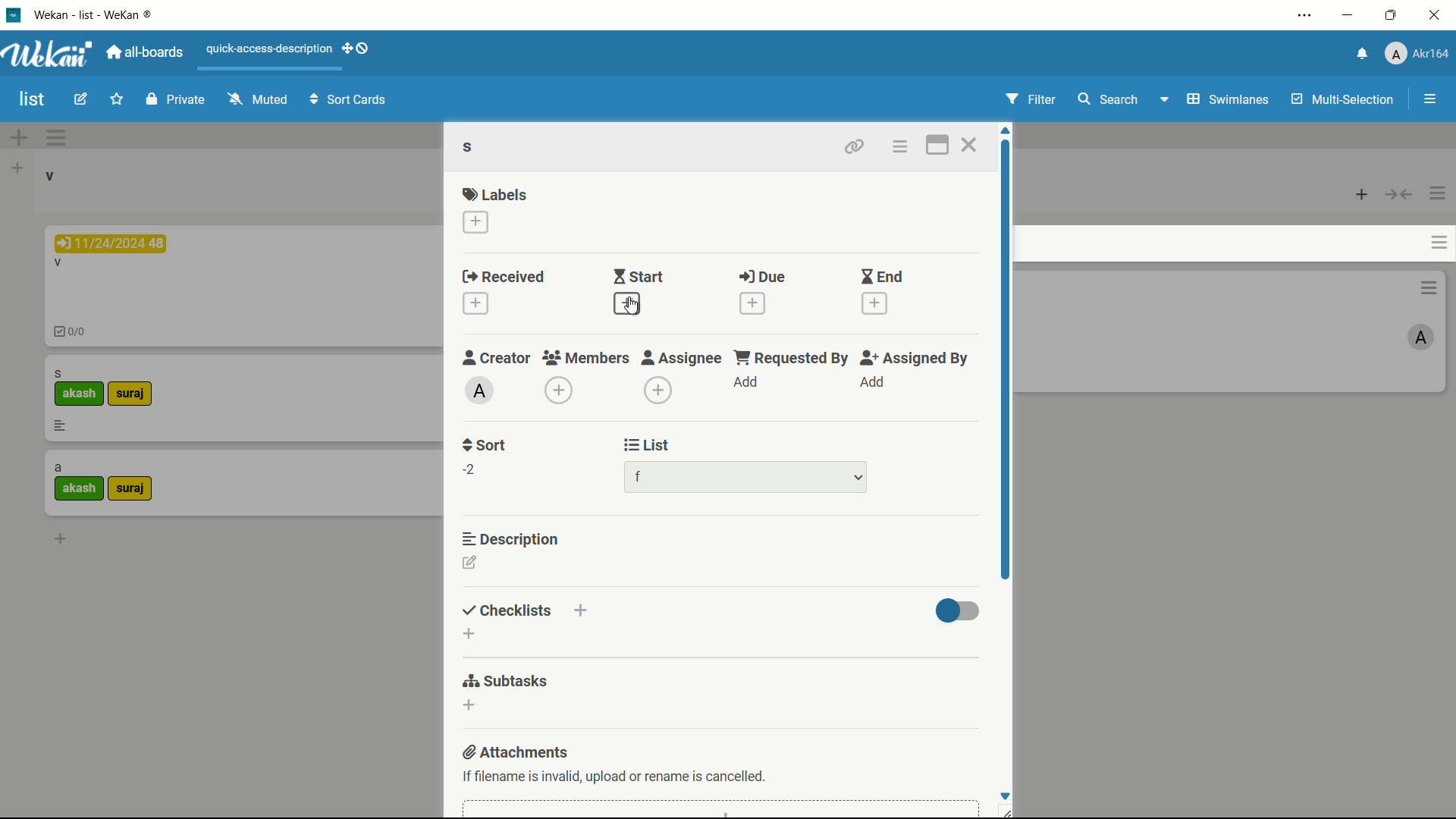 The height and width of the screenshot is (819, 1456). I want to click on settings and more, so click(1307, 15).